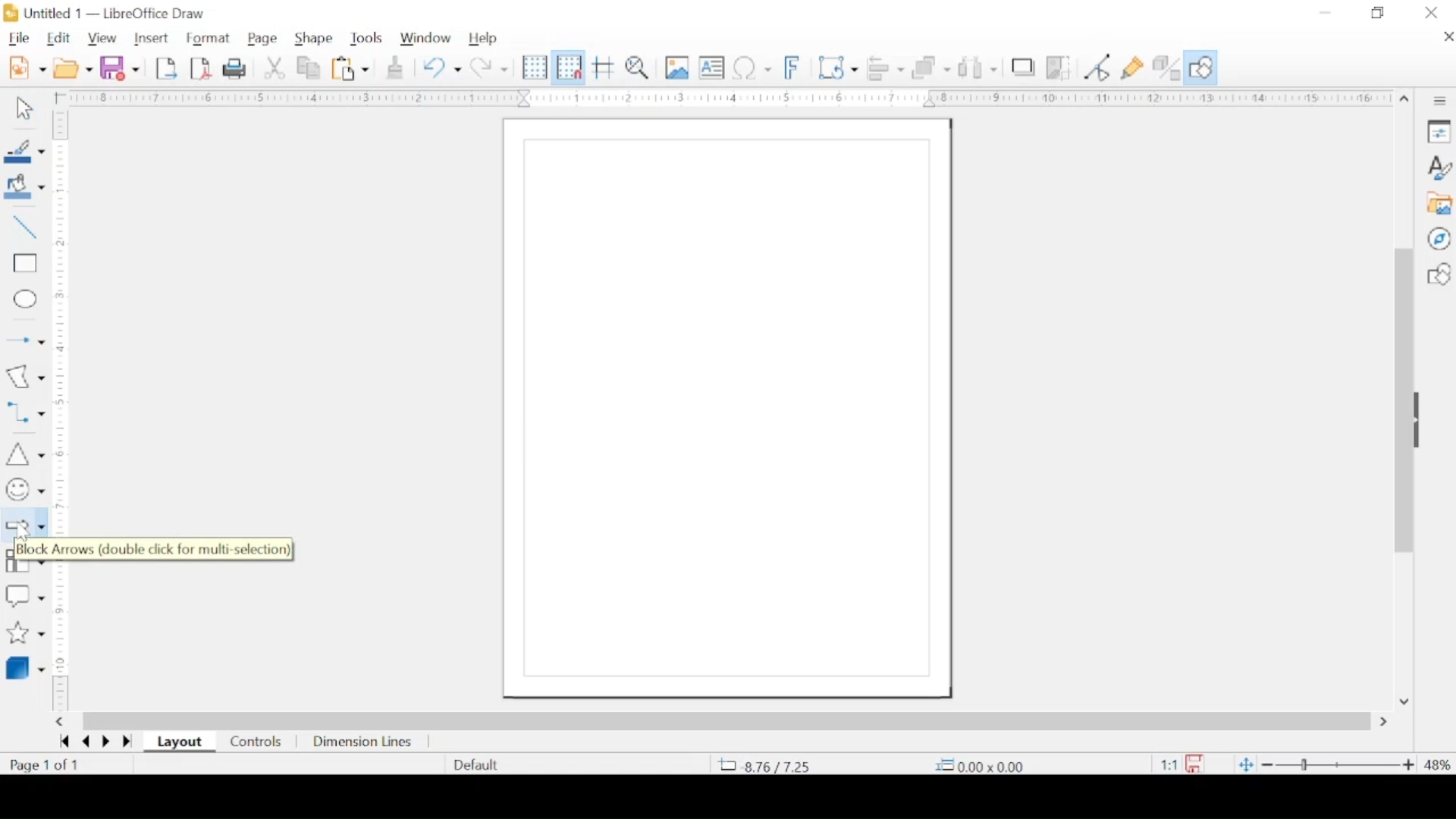 The width and height of the screenshot is (1456, 819). What do you see at coordinates (1133, 67) in the screenshot?
I see `show gluepoint functions` at bounding box center [1133, 67].